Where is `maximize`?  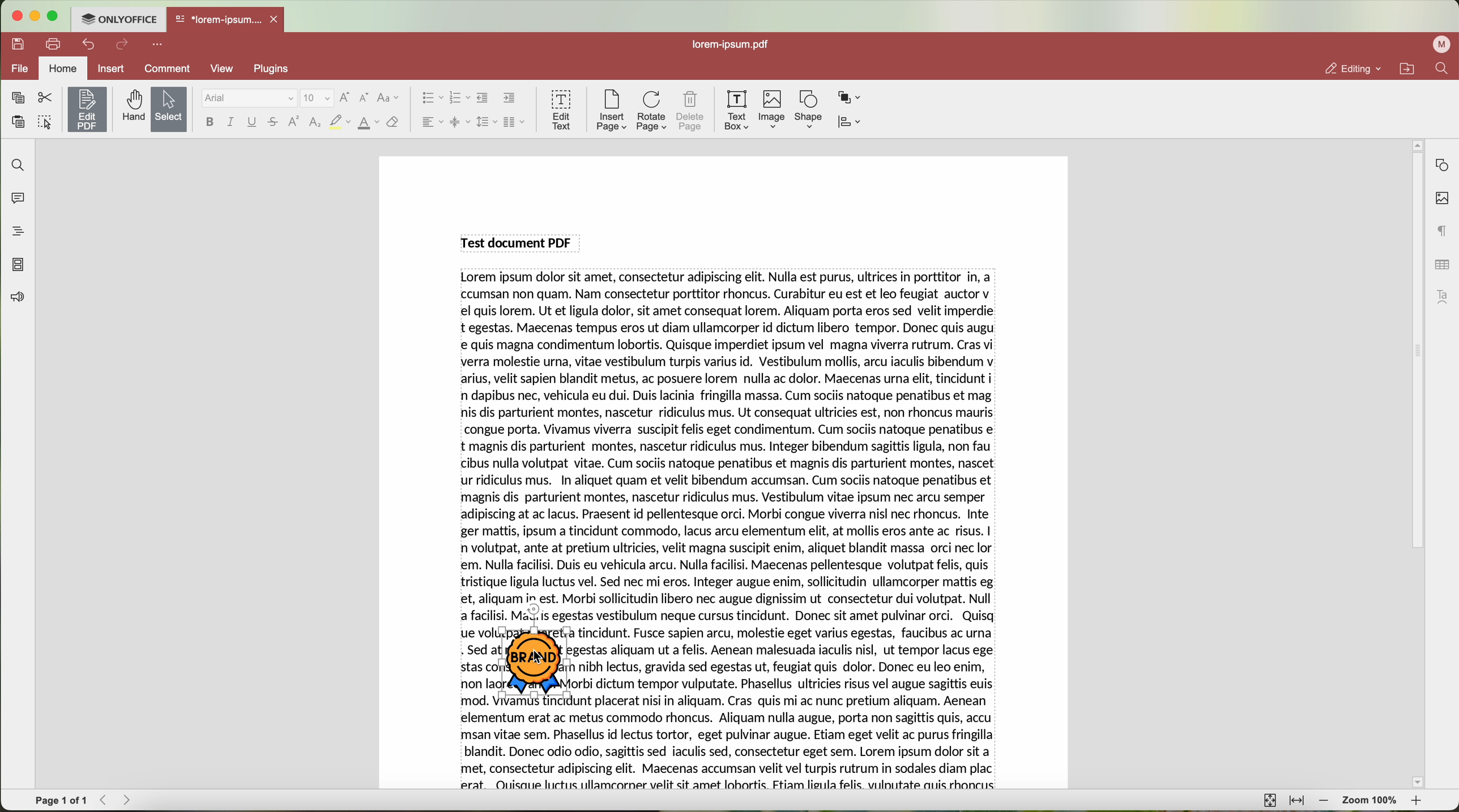
maximize is located at coordinates (54, 16).